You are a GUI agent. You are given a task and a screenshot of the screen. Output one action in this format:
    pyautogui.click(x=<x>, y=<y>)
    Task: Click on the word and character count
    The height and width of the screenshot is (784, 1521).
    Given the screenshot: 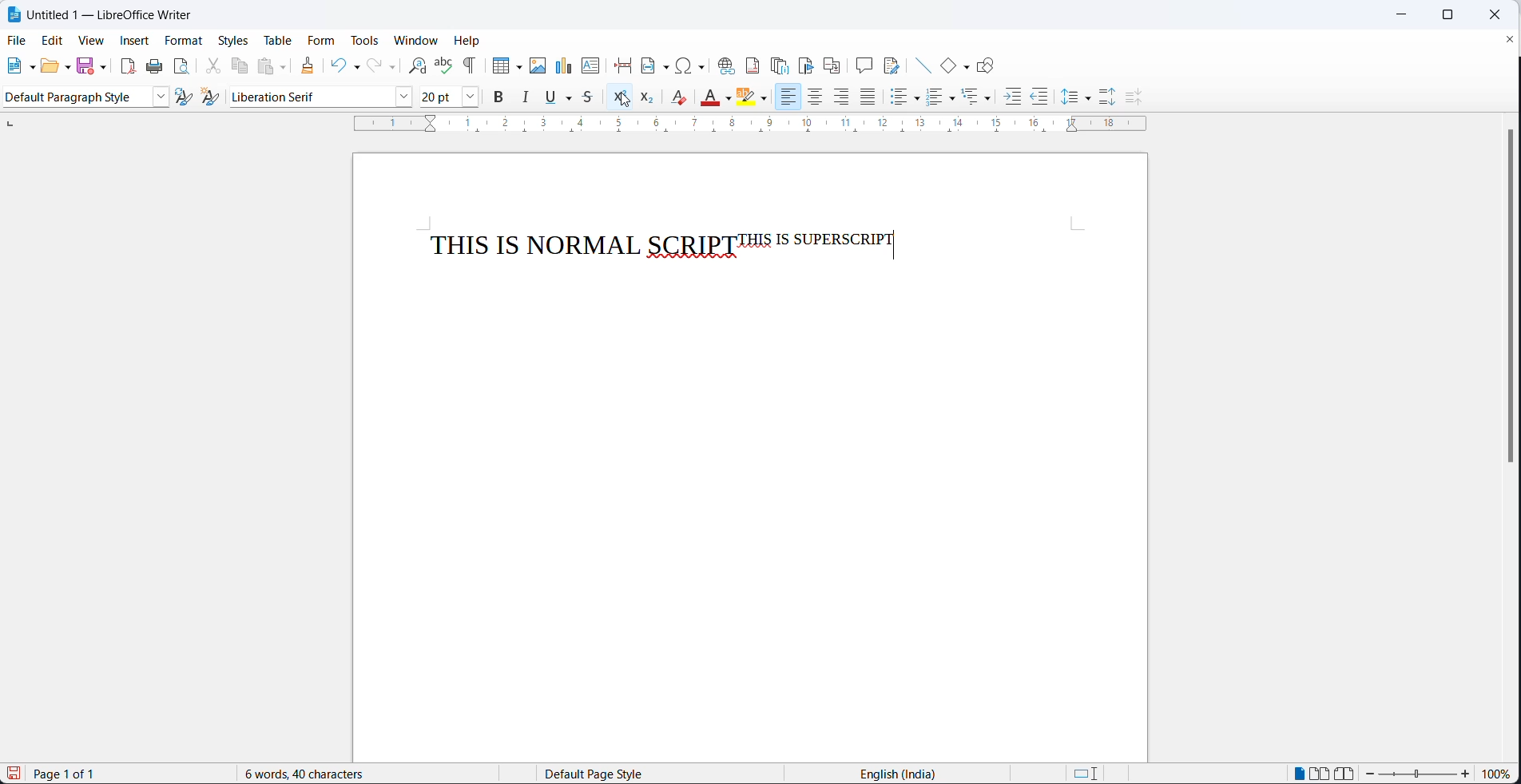 What is the action you would take?
    pyautogui.click(x=313, y=774)
    